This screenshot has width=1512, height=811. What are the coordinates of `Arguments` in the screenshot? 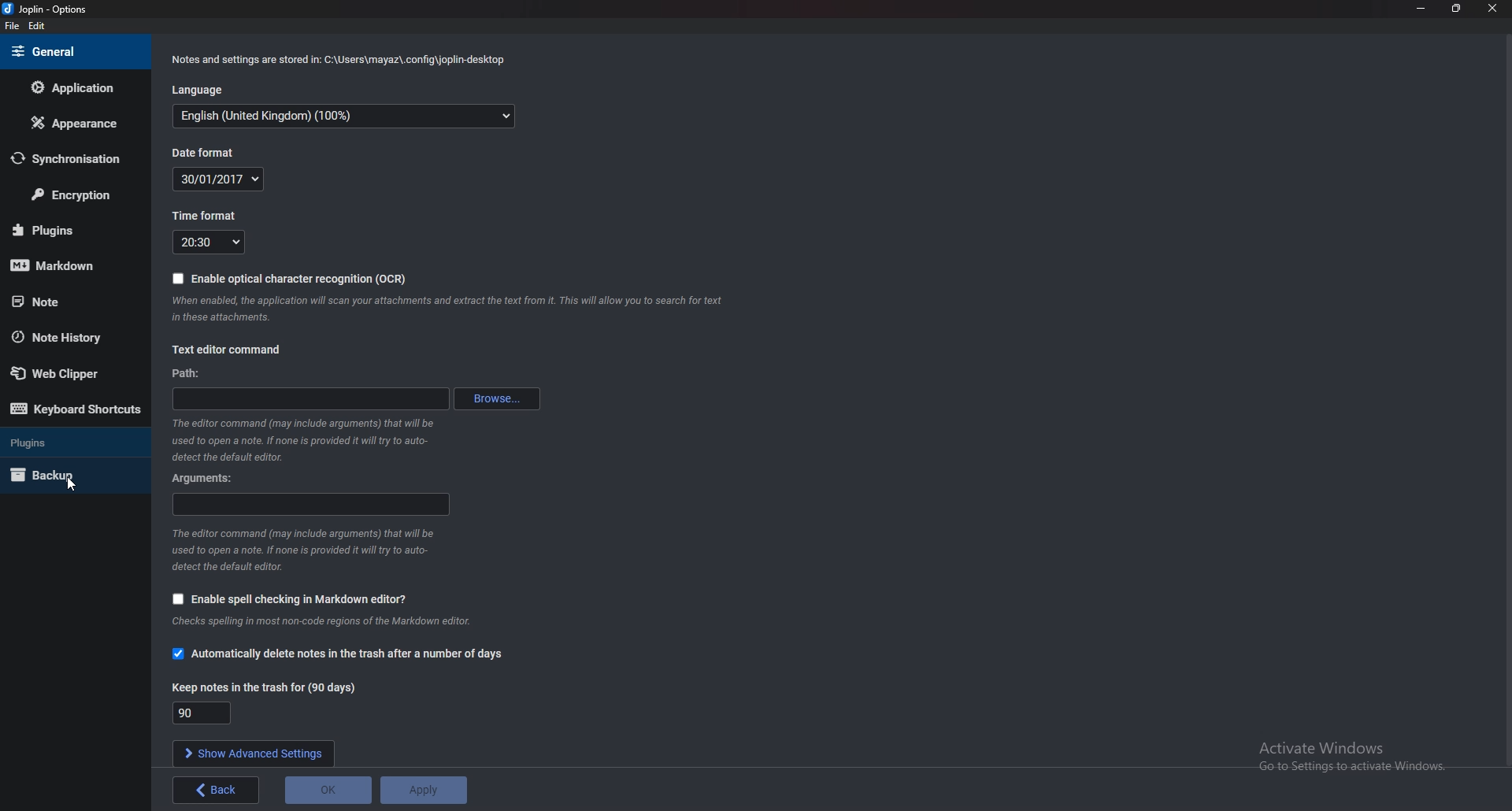 It's located at (309, 504).